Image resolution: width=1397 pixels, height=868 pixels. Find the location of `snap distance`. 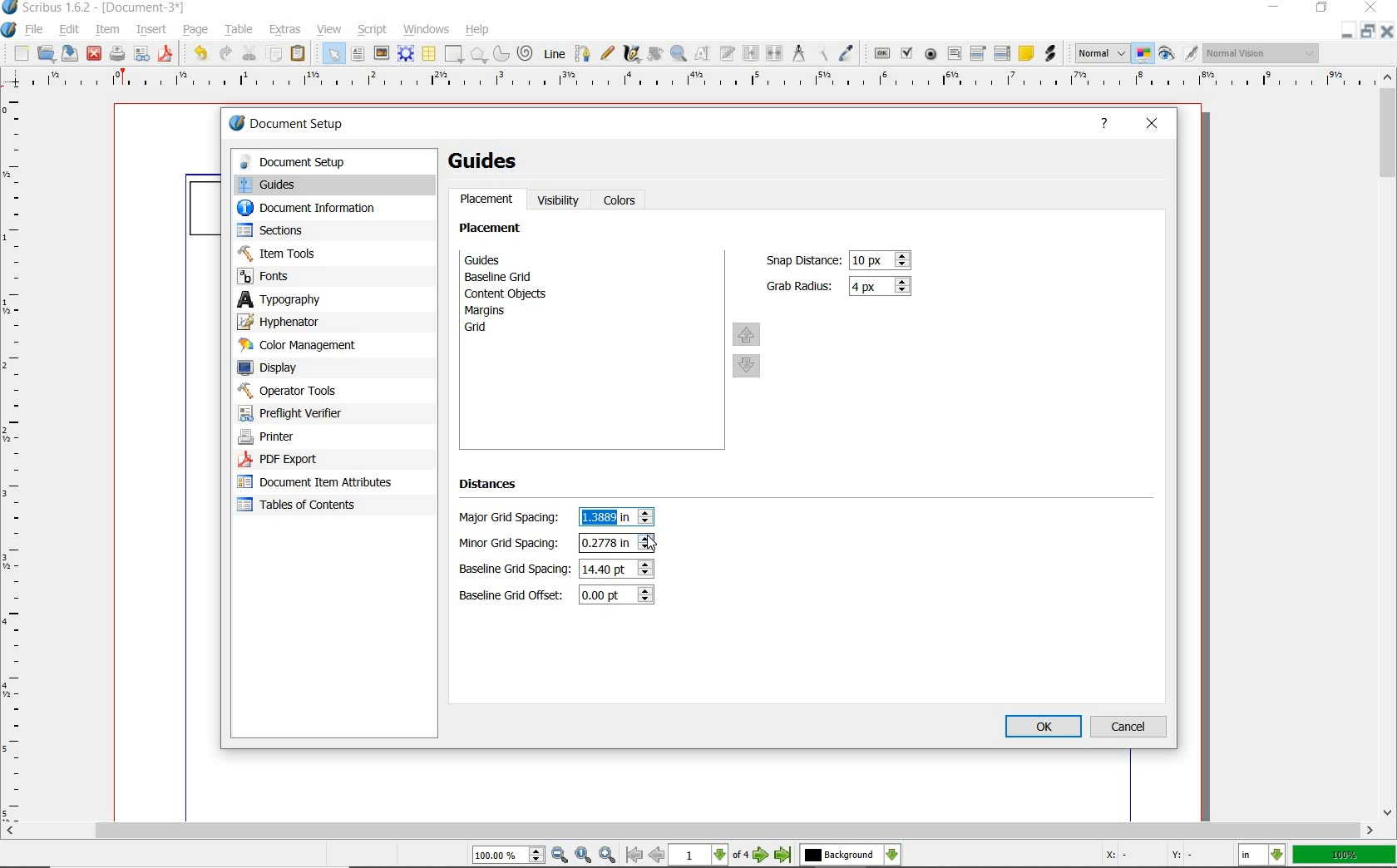

snap distance is located at coordinates (881, 260).